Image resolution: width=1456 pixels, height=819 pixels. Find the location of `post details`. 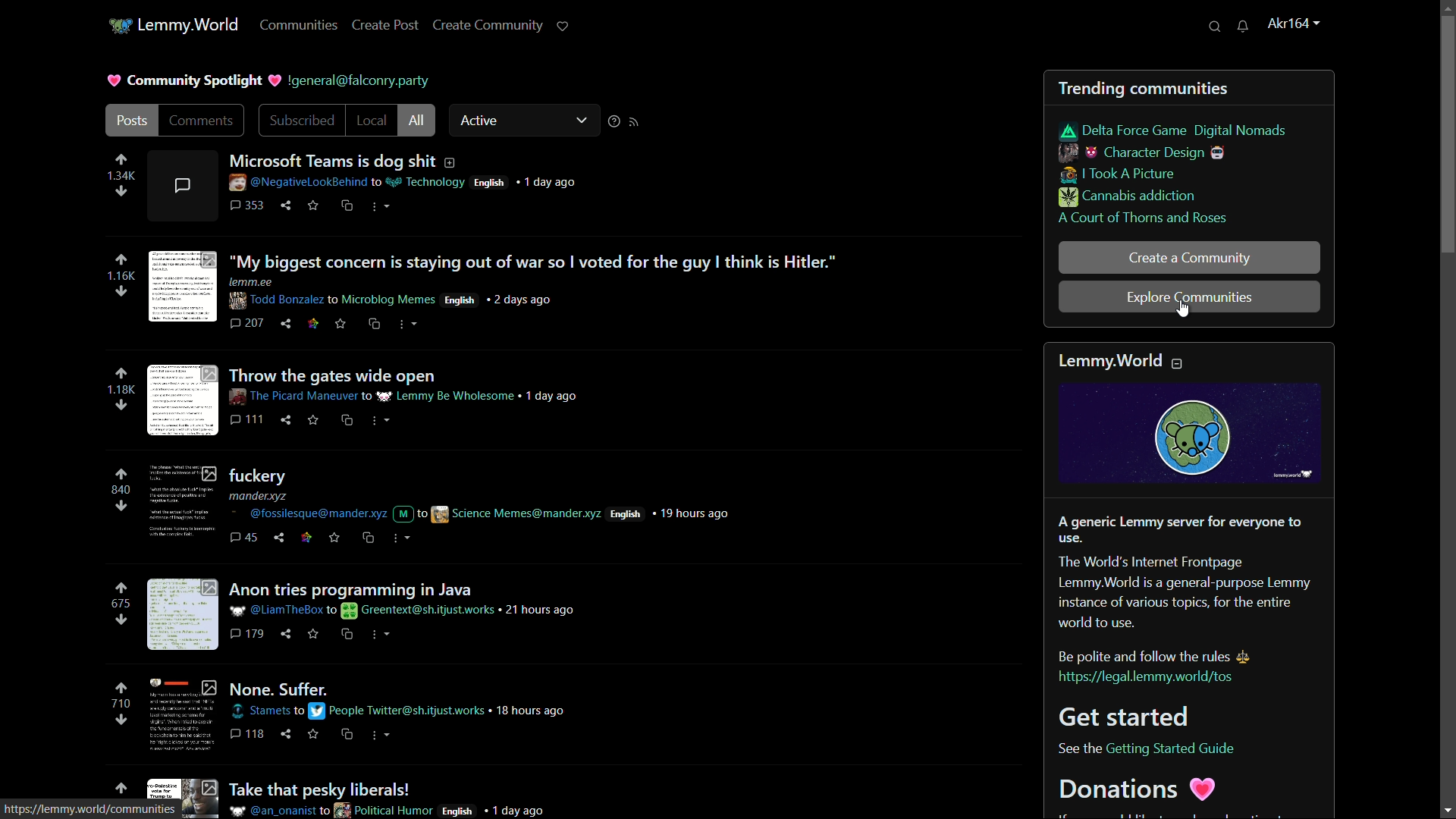

post details is located at coordinates (413, 610).